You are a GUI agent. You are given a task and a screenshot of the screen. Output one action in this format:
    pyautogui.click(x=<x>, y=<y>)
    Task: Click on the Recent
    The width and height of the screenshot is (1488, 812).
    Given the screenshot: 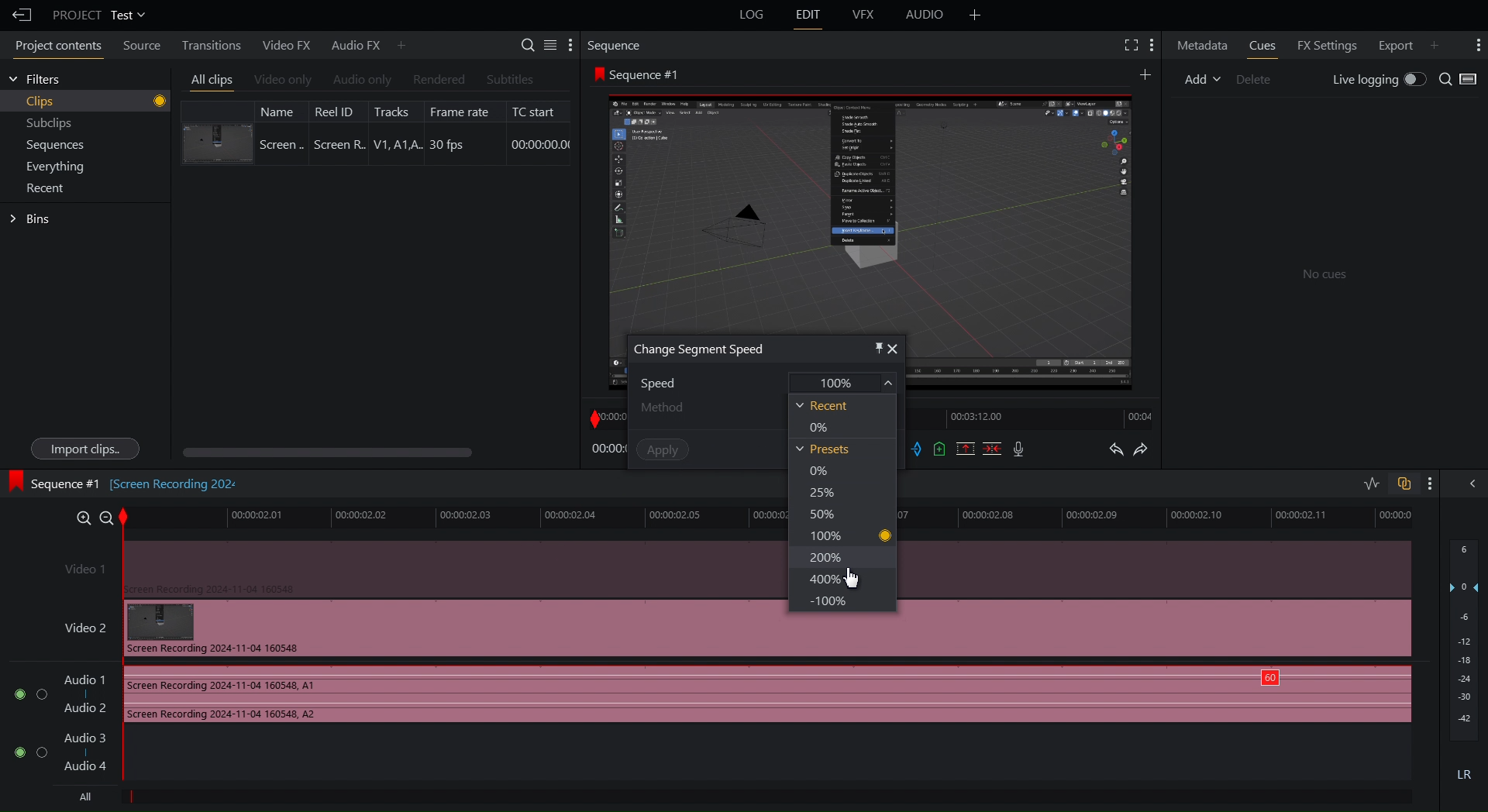 What is the action you would take?
    pyautogui.click(x=49, y=188)
    